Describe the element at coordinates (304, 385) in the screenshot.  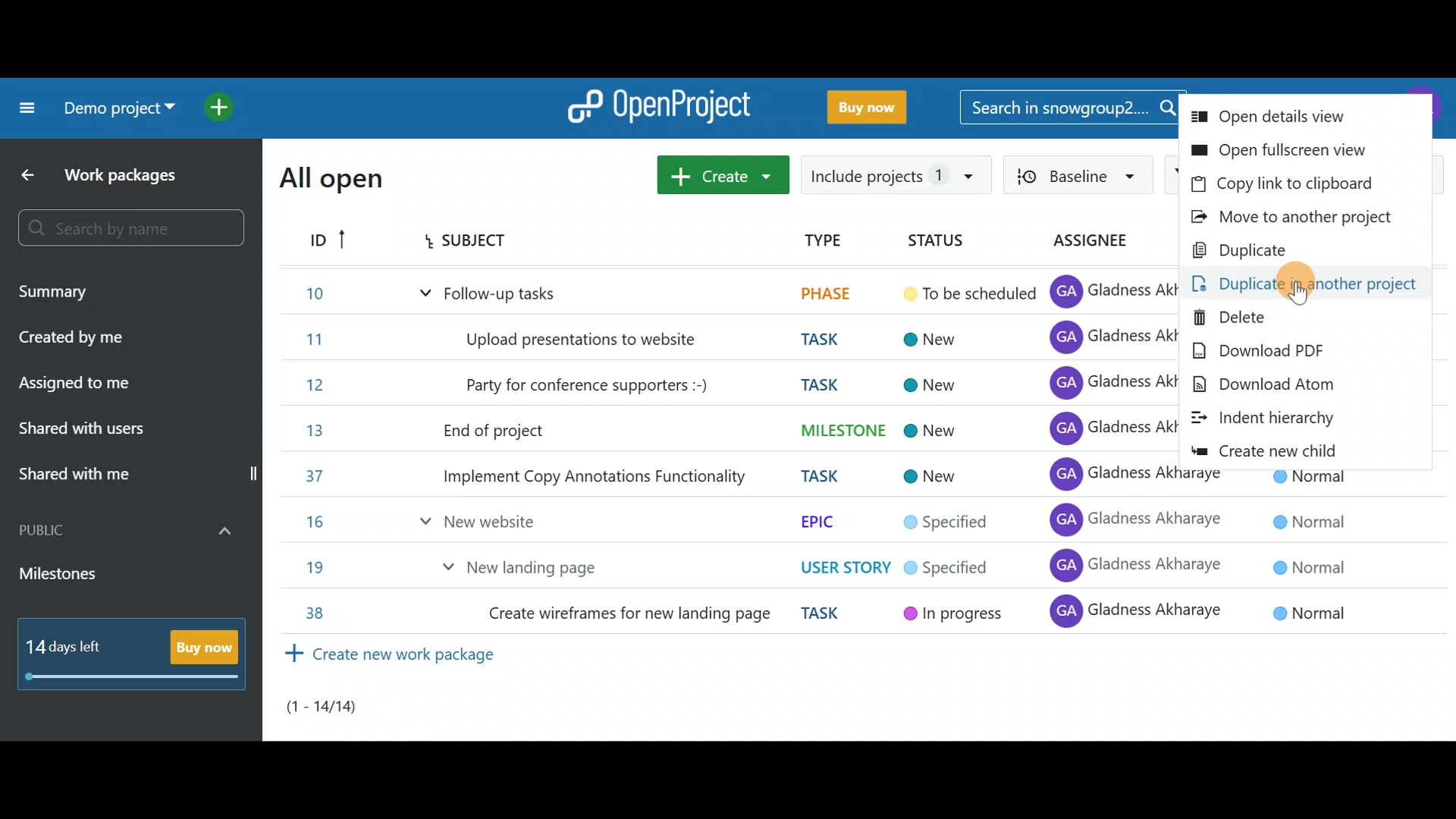
I see `12` at that location.